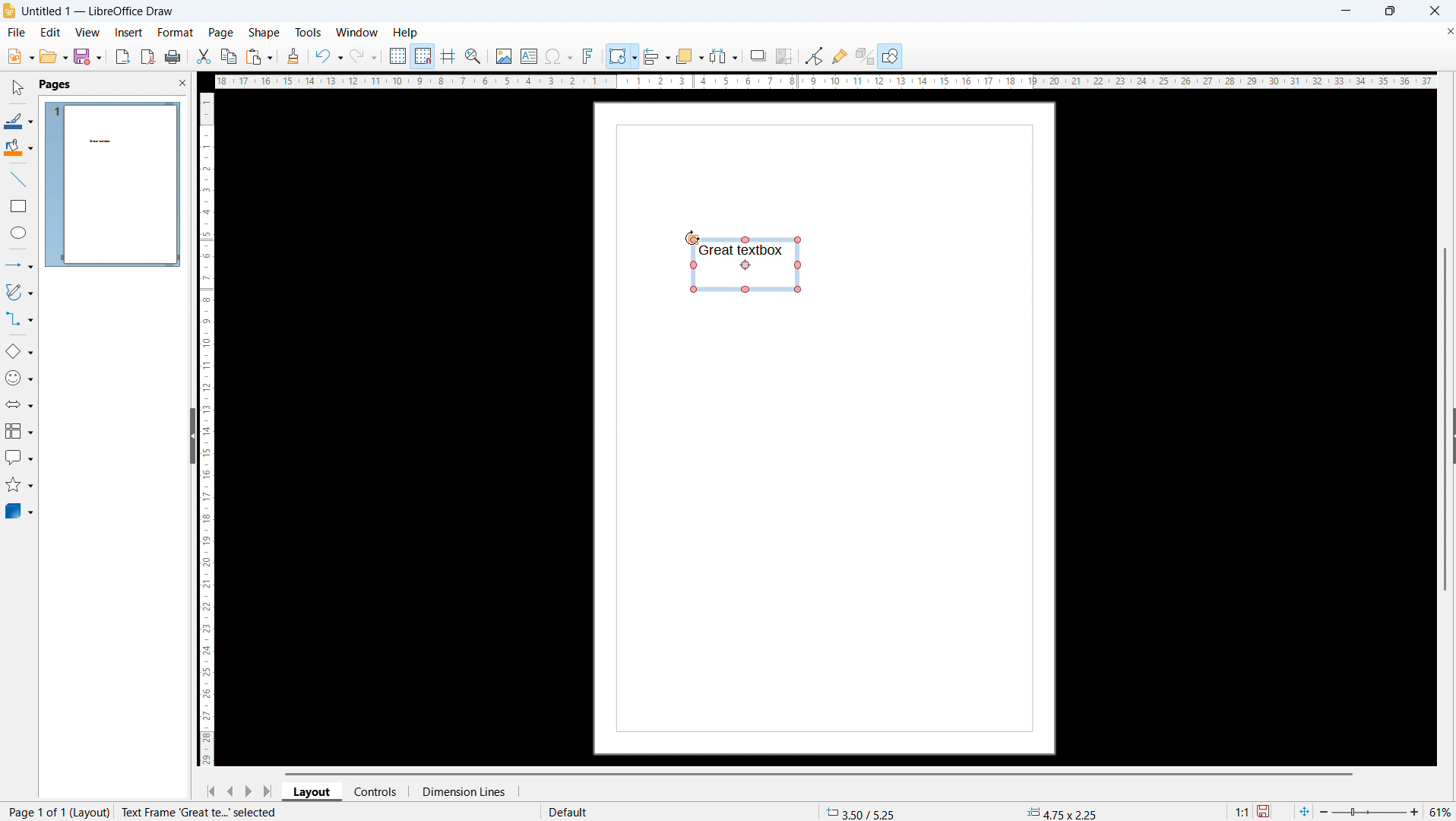  What do you see at coordinates (55, 84) in the screenshot?
I see `pages` at bounding box center [55, 84].